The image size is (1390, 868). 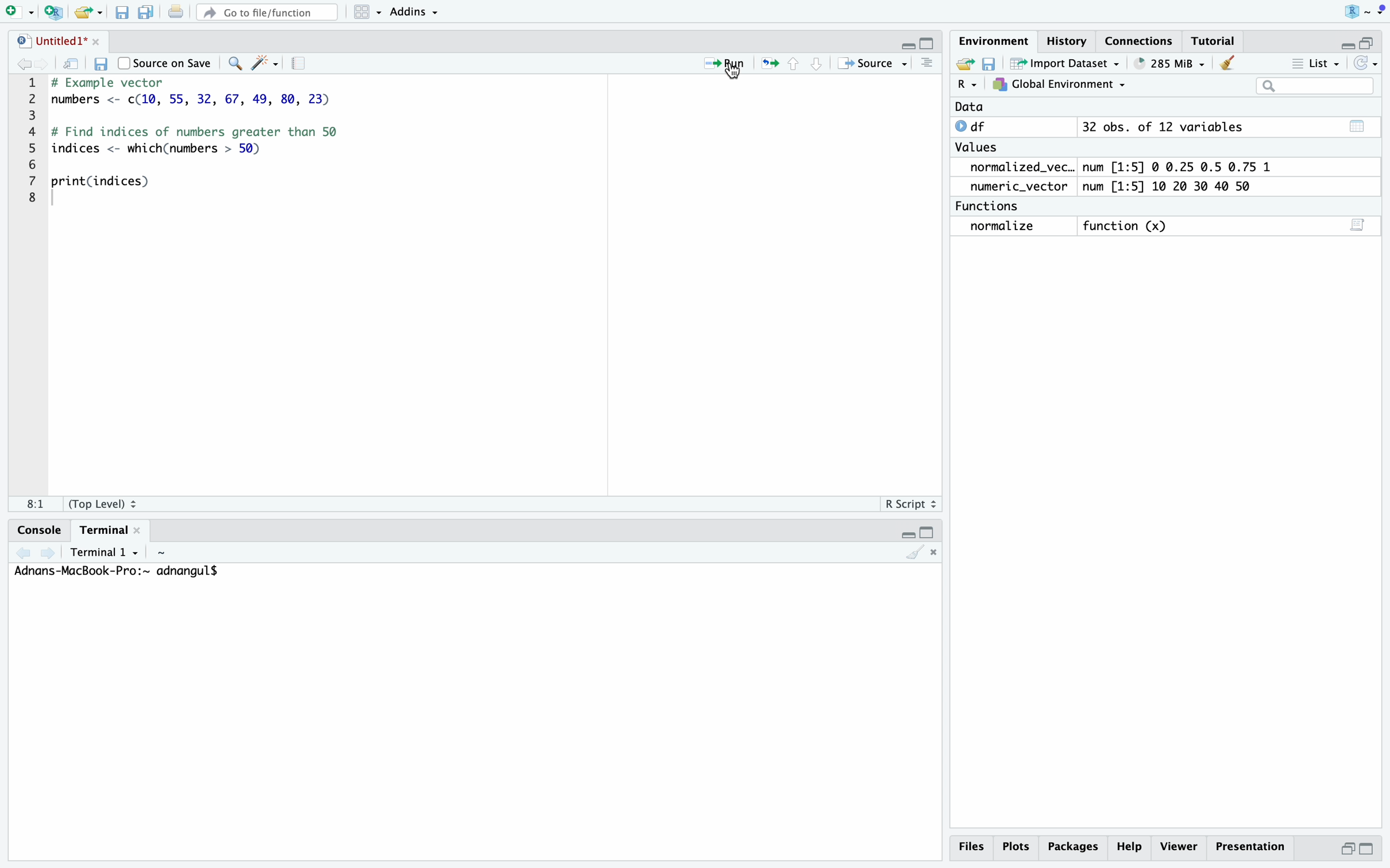 What do you see at coordinates (57, 40) in the screenshot?
I see ` Untitled1` at bounding box center [57, 40].